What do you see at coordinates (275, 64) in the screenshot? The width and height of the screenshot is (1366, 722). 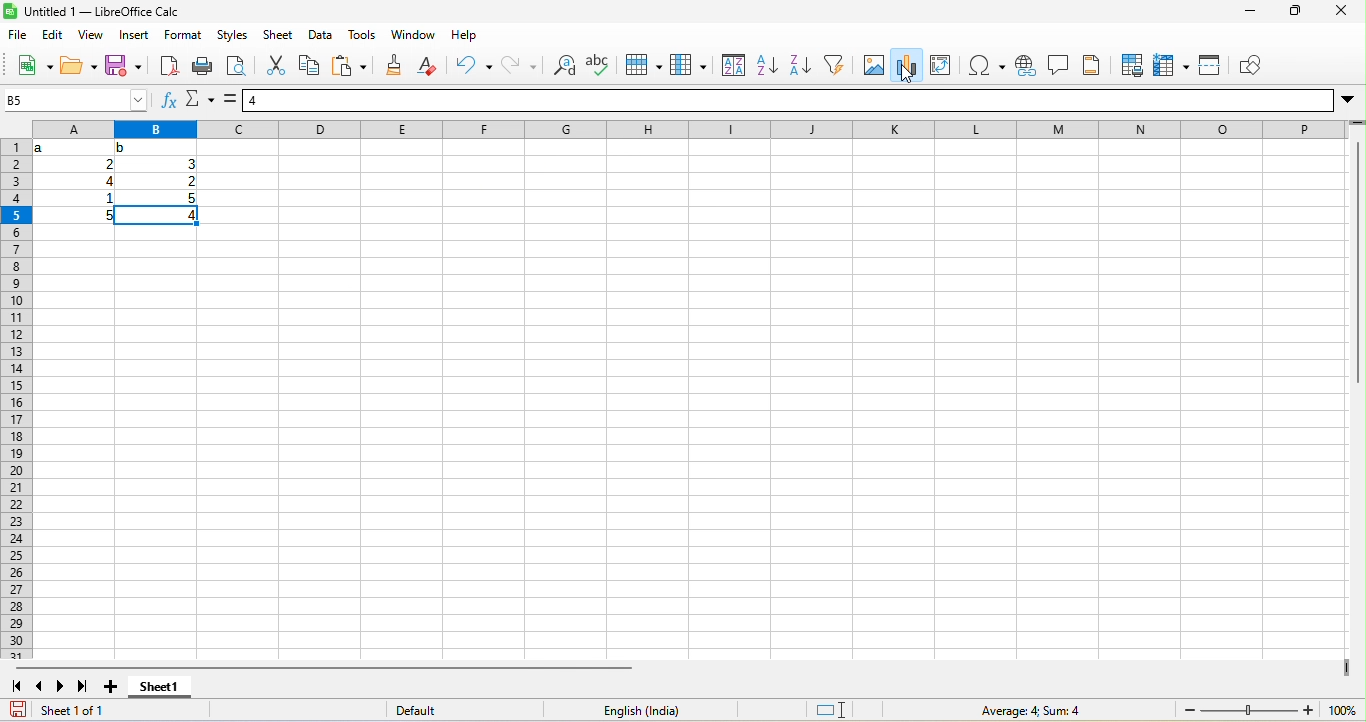 I see `cut` at bounding box center [275, 64].